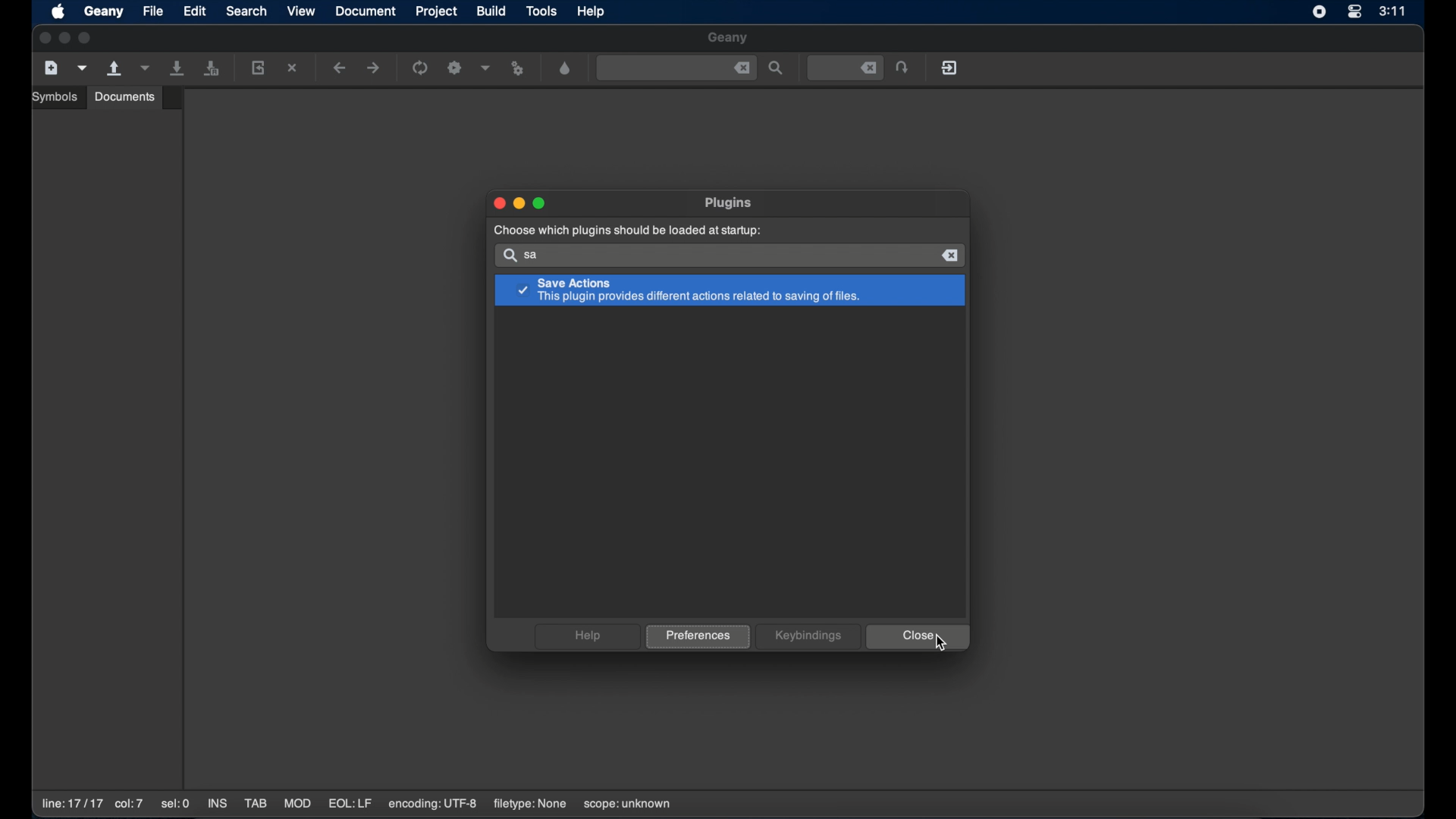  I want to click on quit geany, so click(951, 67).